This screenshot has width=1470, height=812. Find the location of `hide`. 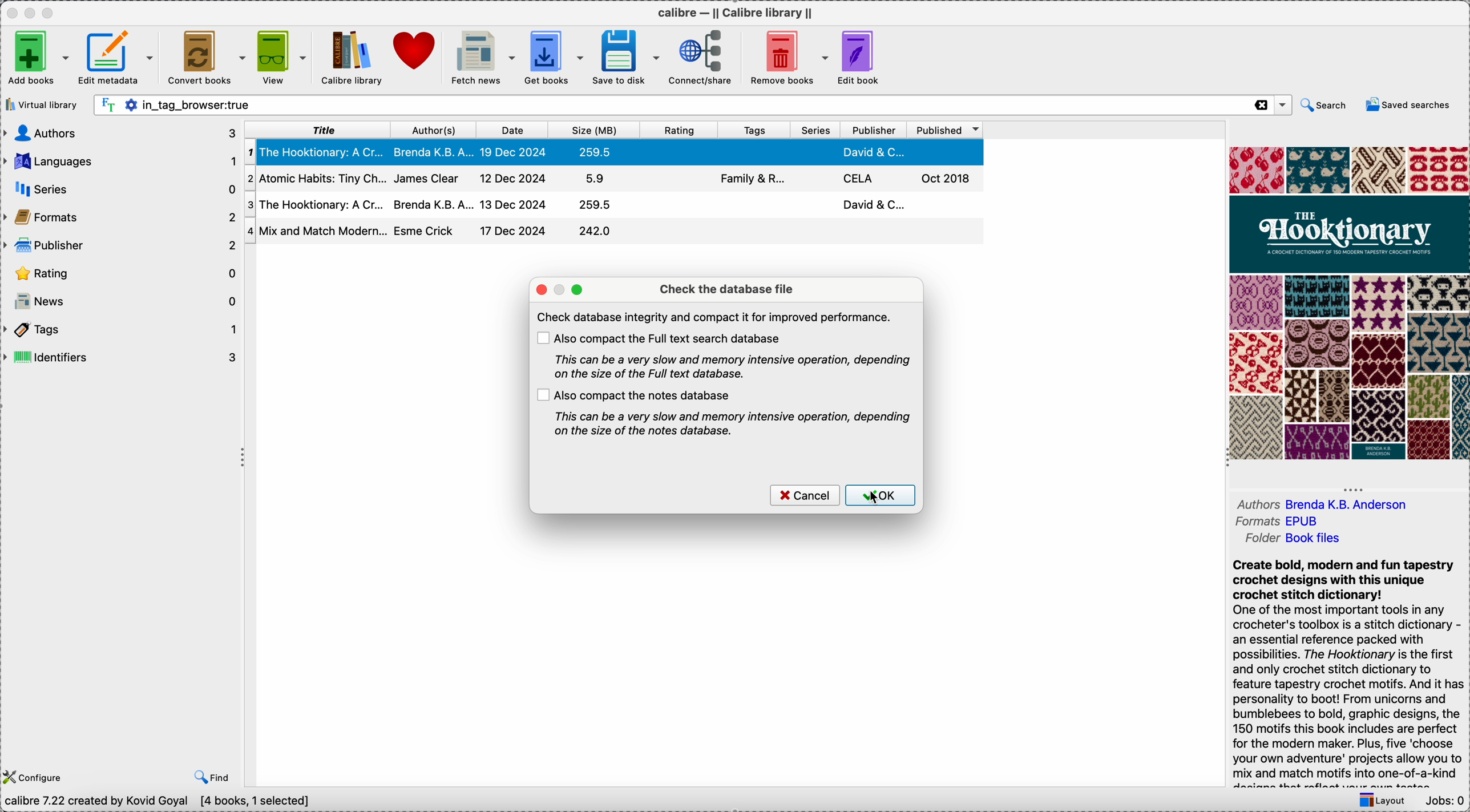

hide is located at coordinates (1351, 487).